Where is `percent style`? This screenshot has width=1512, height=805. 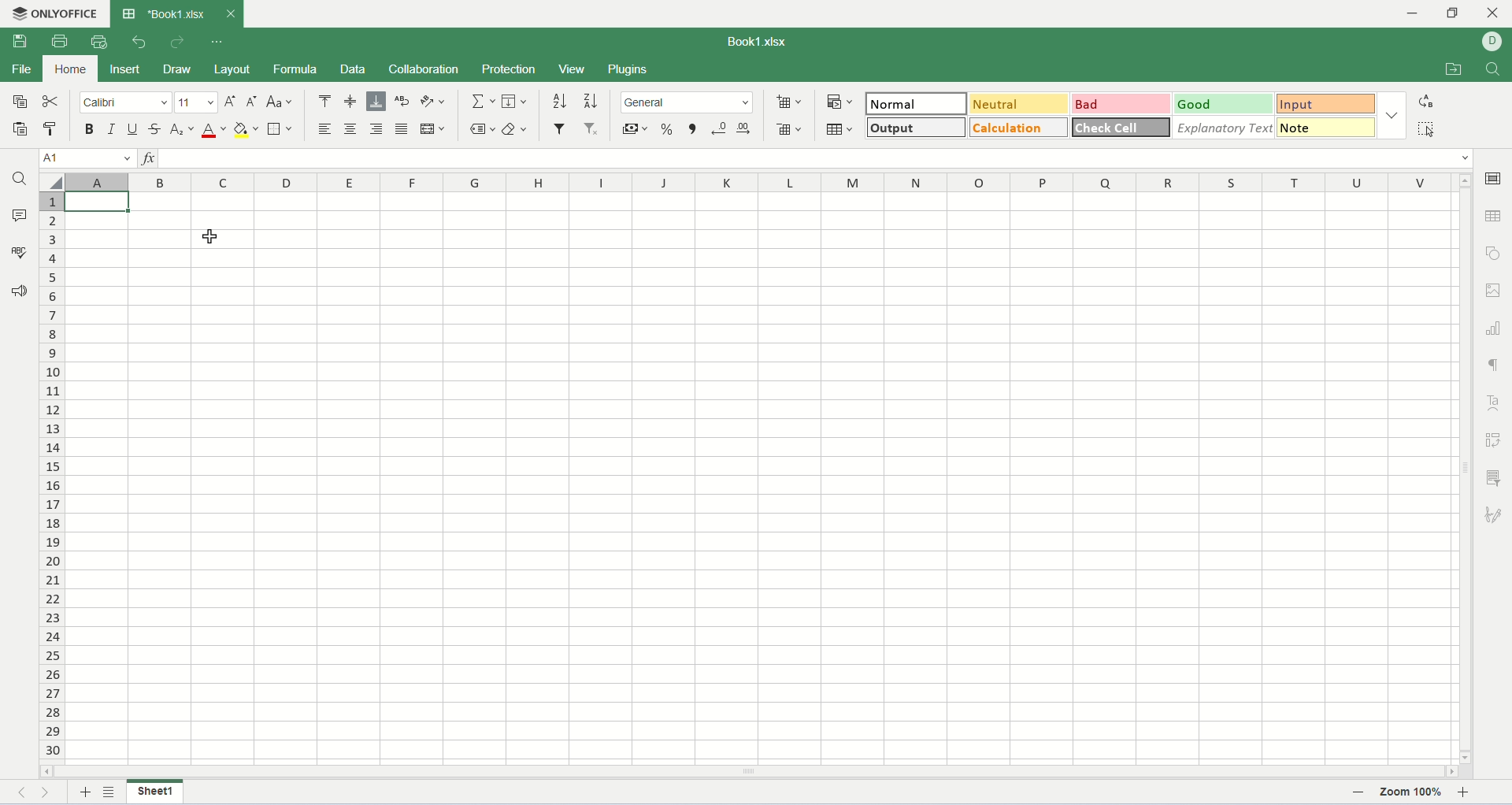
percent style is located at coordinates (669, 127).